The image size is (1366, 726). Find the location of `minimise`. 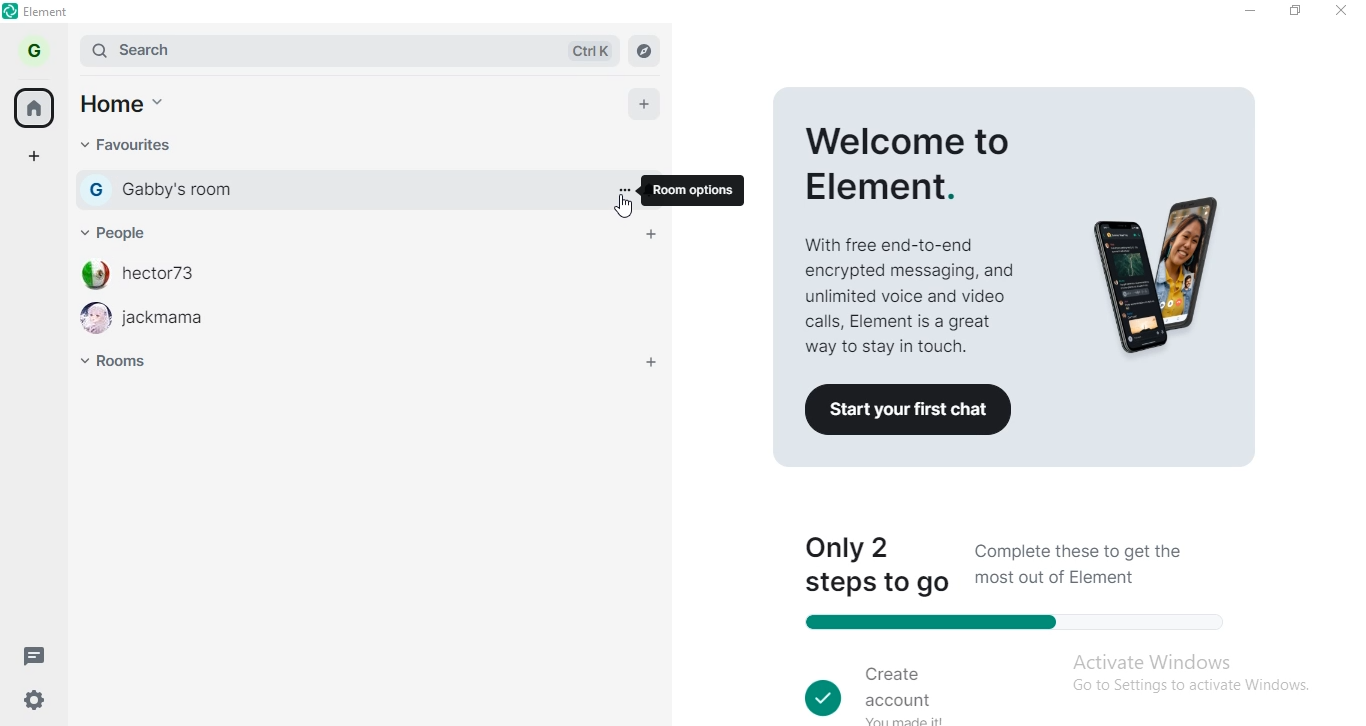

minimise is located at coordinates (1254, 10).